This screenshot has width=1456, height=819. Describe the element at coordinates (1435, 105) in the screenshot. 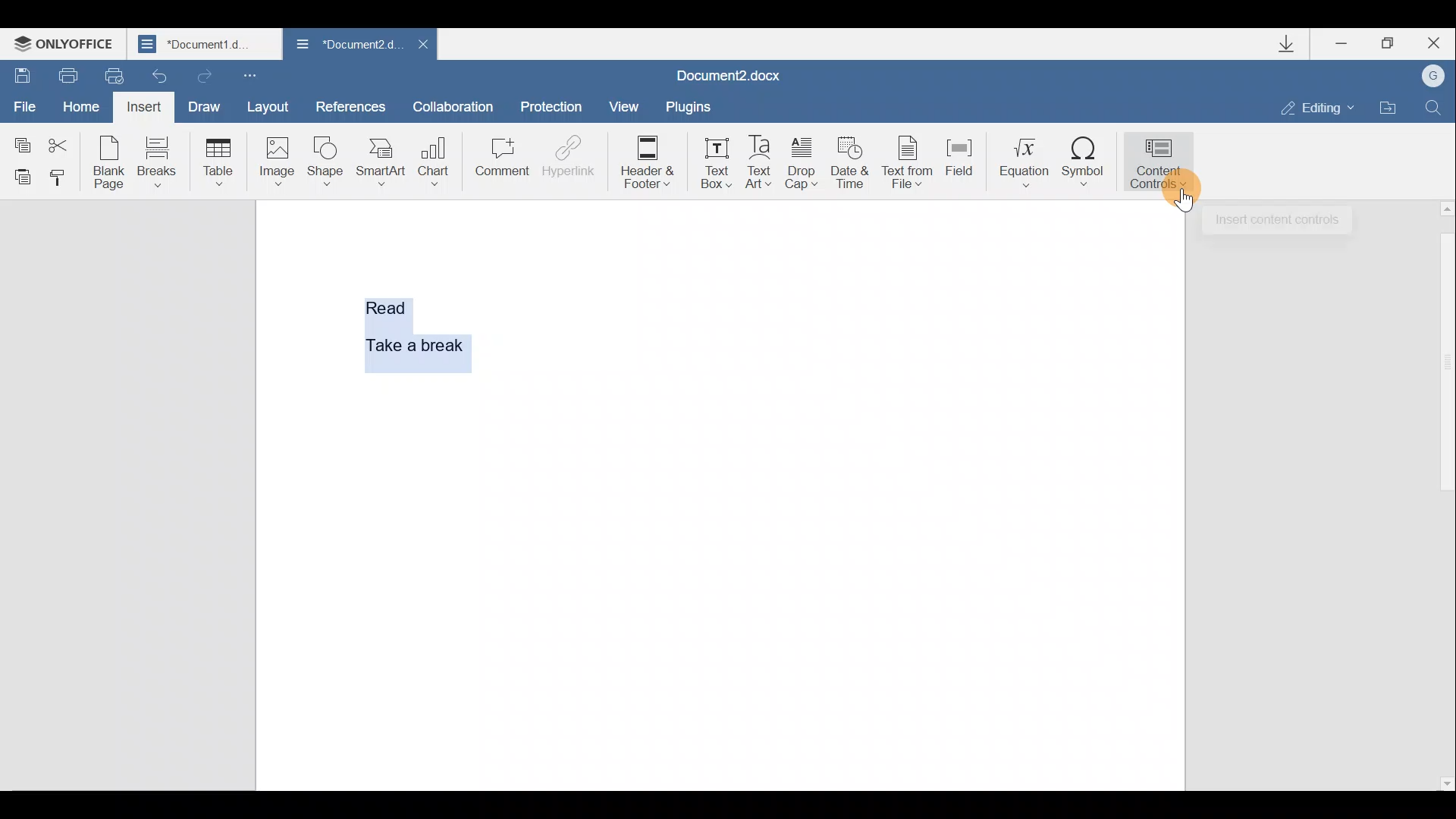

I see `Find` at that location.